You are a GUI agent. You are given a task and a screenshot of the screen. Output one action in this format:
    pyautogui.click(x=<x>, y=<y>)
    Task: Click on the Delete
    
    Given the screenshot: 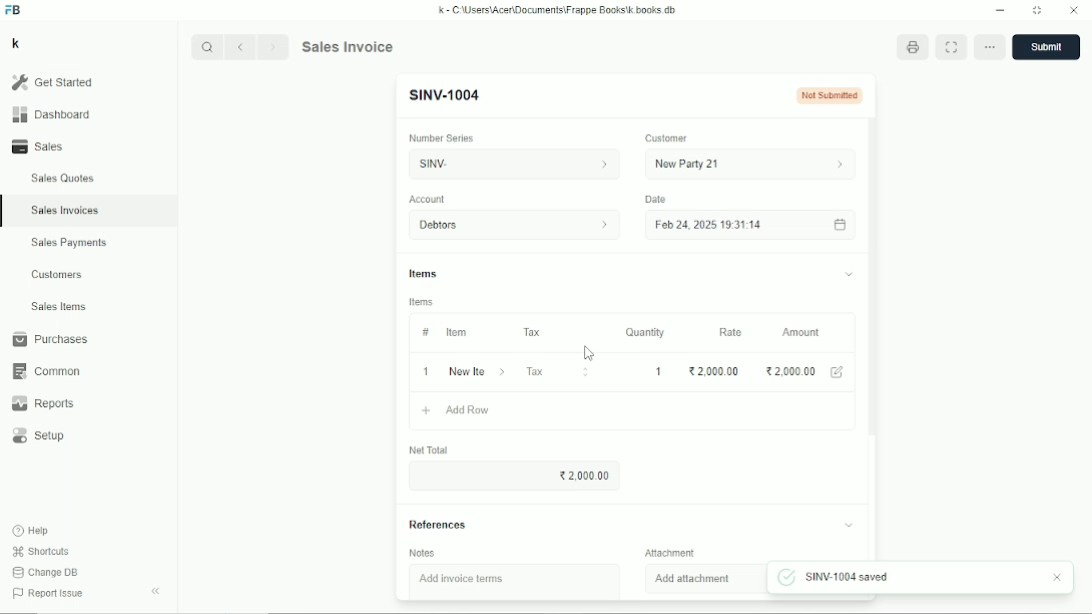 What is the action you would take?
    pyautogui.click(x=991, y=46)
    